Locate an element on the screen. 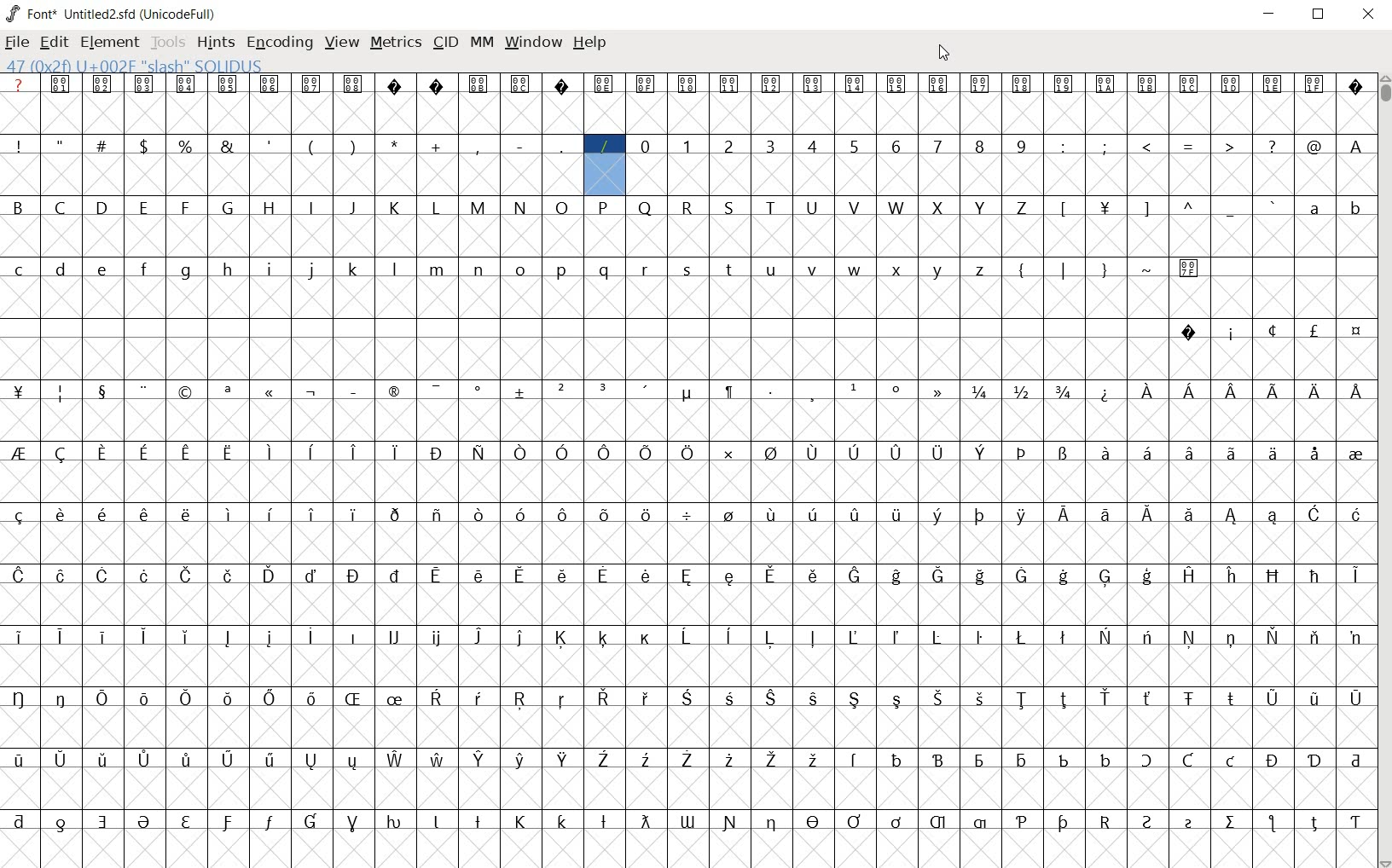 This screenshot has height=868, width=1392. glyph is located at coordinates (310, 514).